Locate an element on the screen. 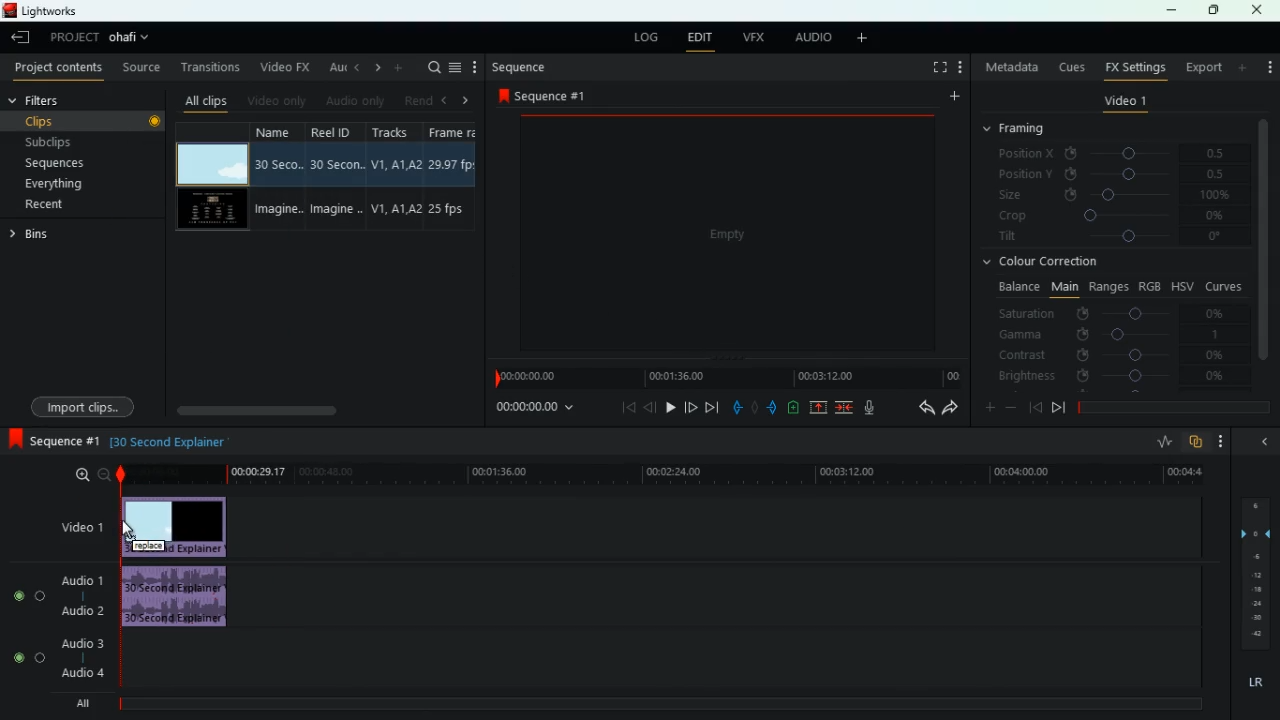  project is located at coordinates (74, 37).